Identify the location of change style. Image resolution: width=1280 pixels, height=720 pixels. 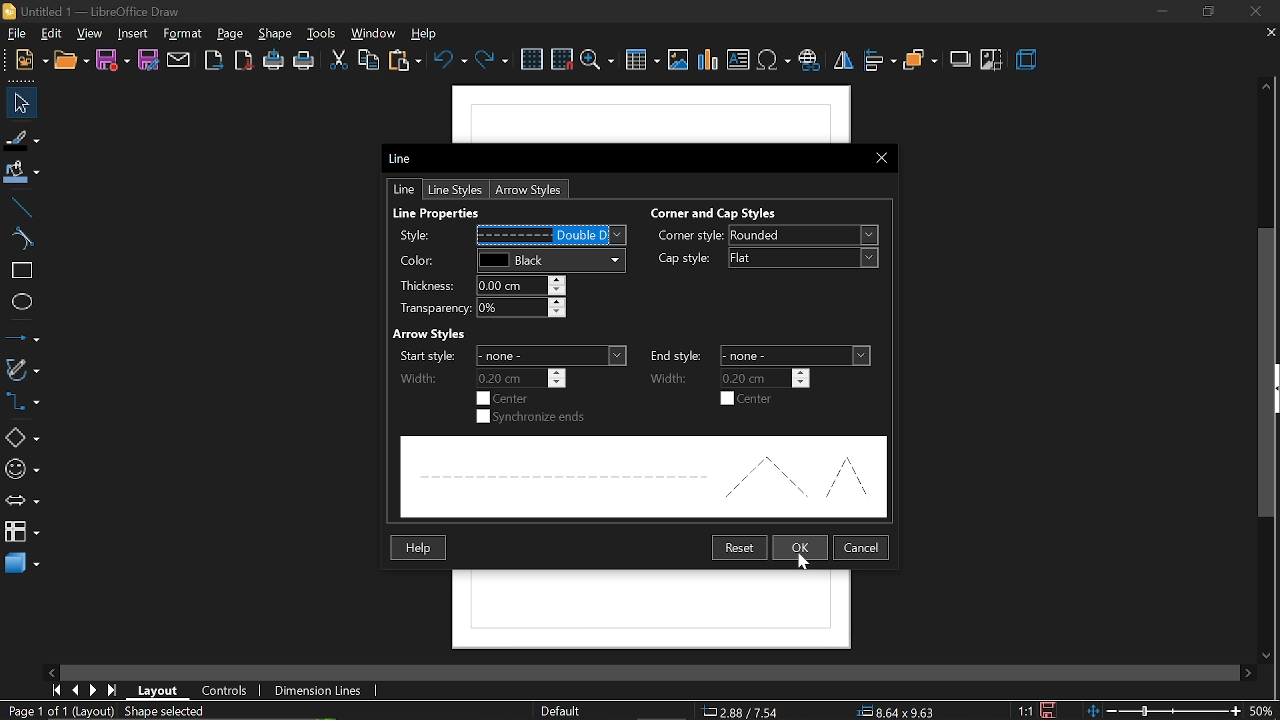
(506, 235).